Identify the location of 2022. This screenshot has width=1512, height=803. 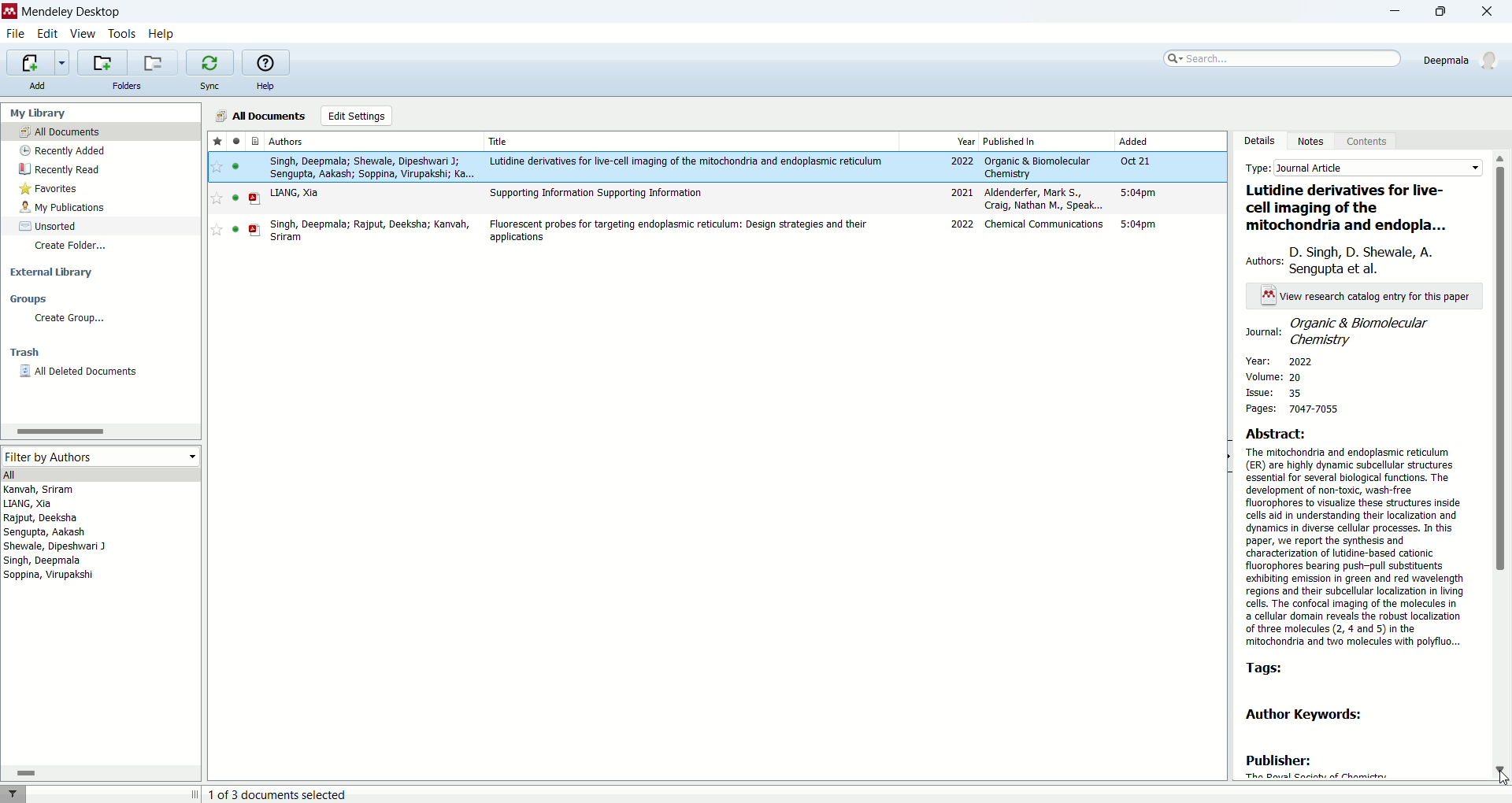
(963, 224).